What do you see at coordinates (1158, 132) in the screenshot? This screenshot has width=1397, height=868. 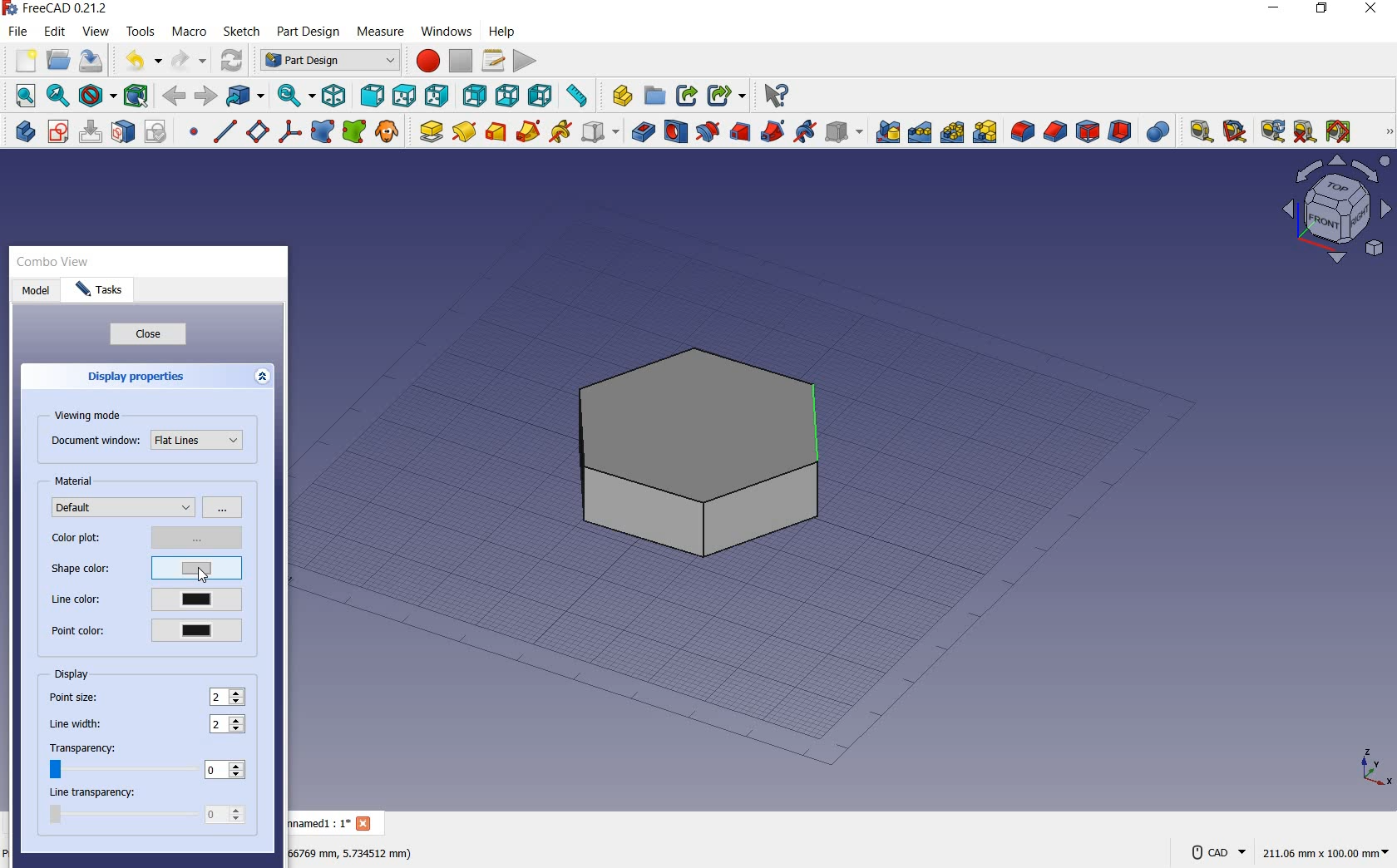 I see `Boolean Operation` at bounding box center [1158, 132].